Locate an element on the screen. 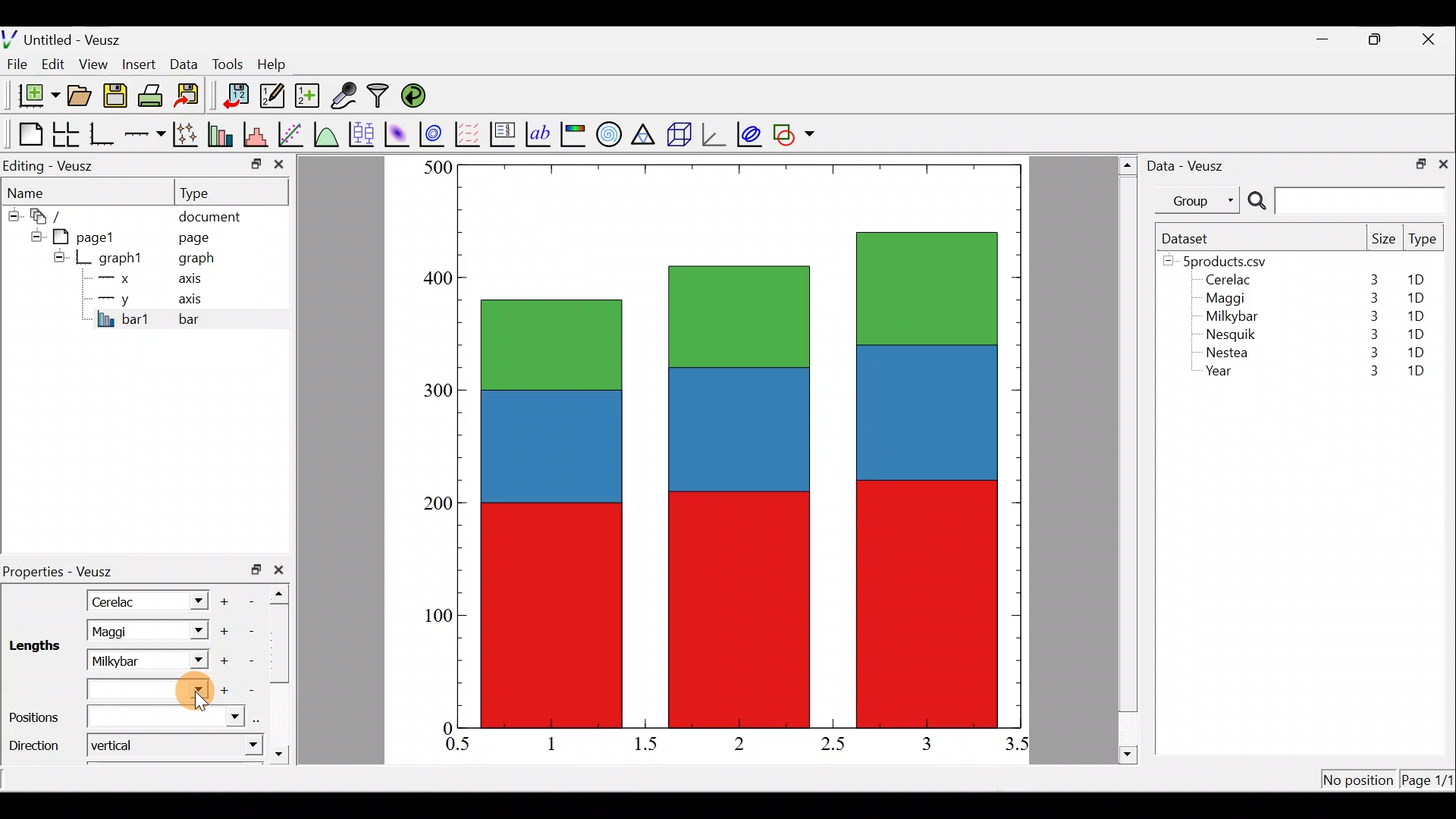 This screenshot has height=819, width=1456. 3d scene is located at coordinates (678, 134).